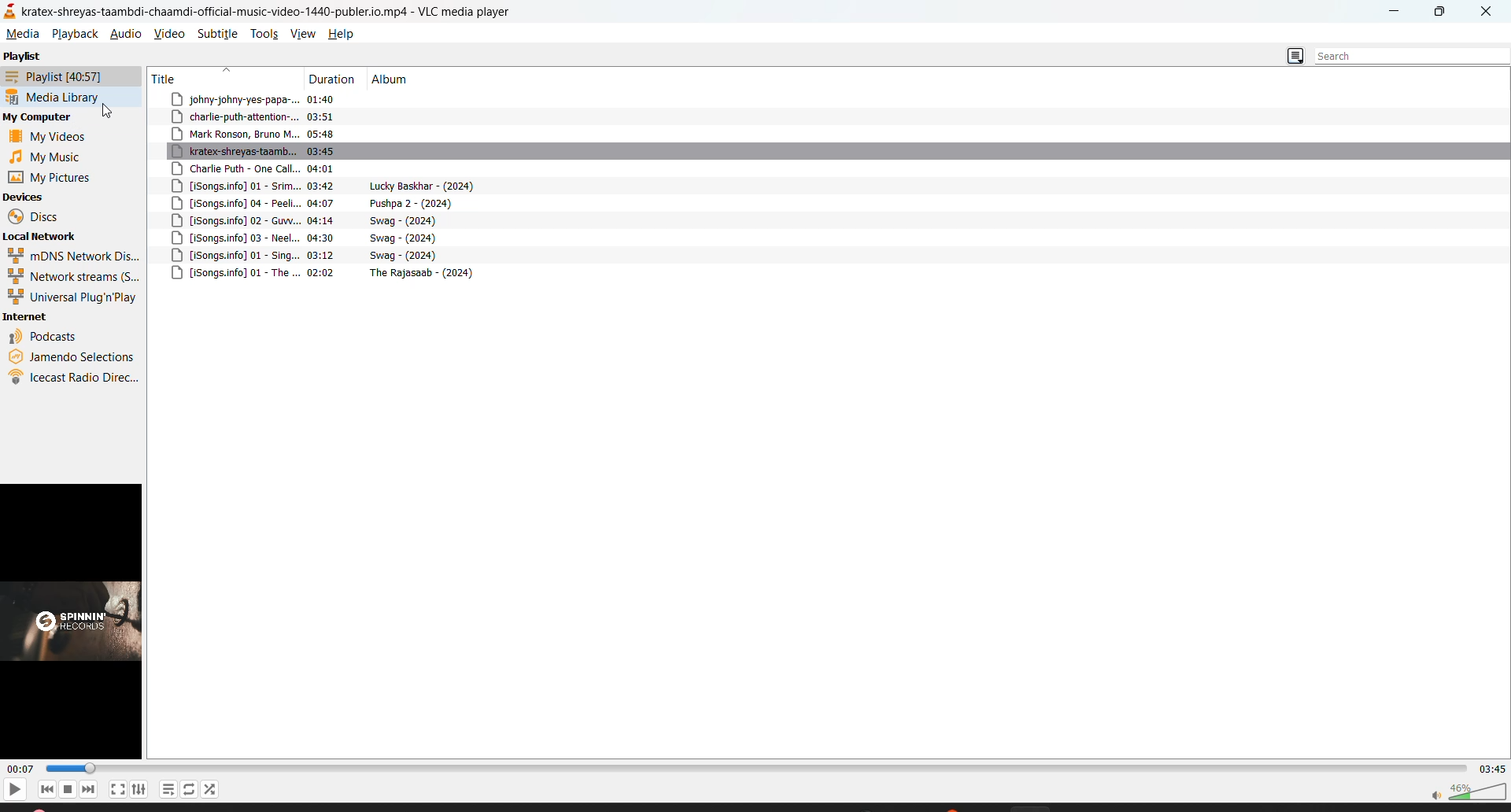  What do you see at coordinates (755, 768) in the screenshot?
I see `track slider` at bounding box center [755, 768].